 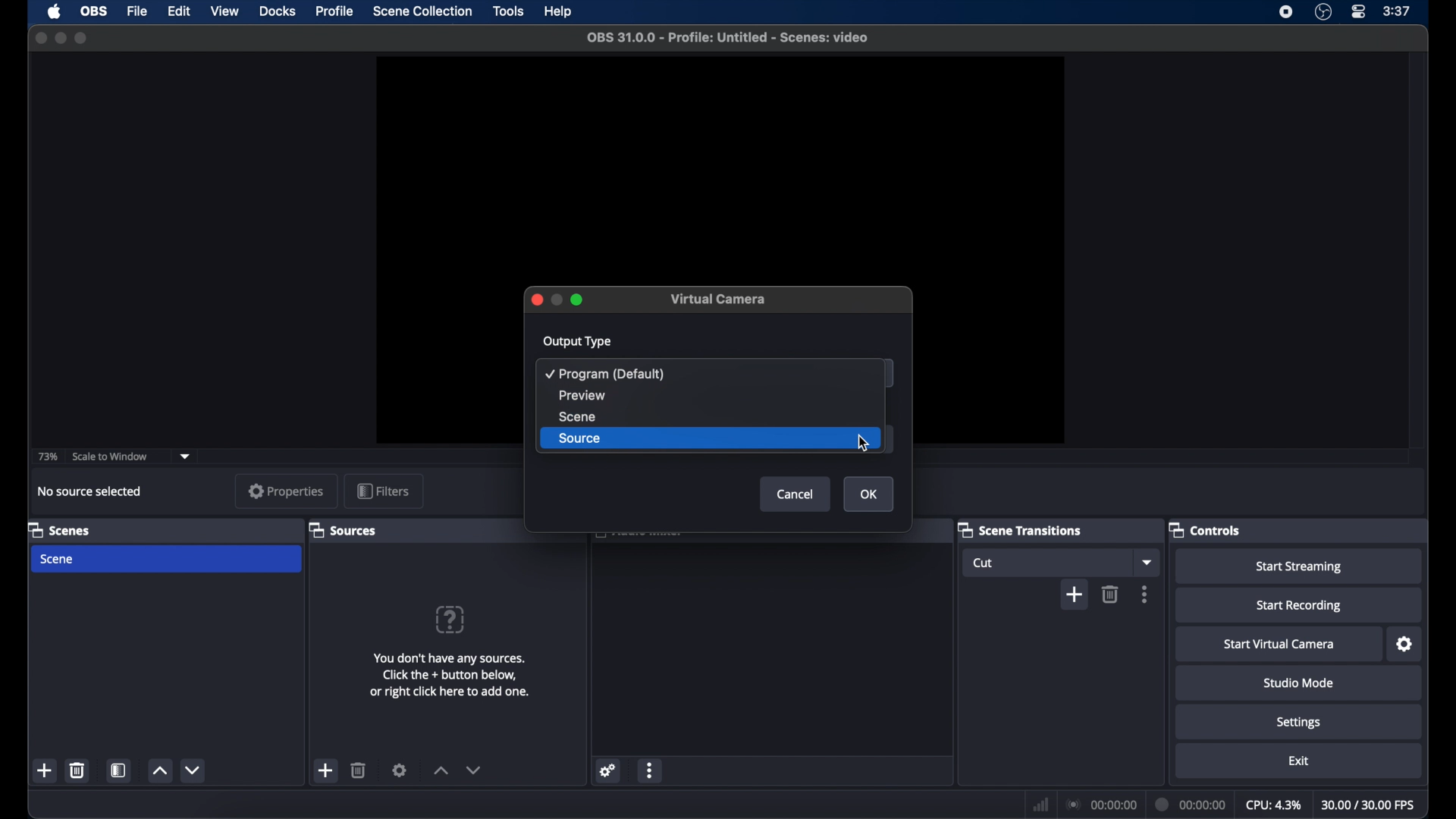 What do you see at coordinates (473, 770) in the screenshot?
I see `decrement` at bounding box center [473, 770].